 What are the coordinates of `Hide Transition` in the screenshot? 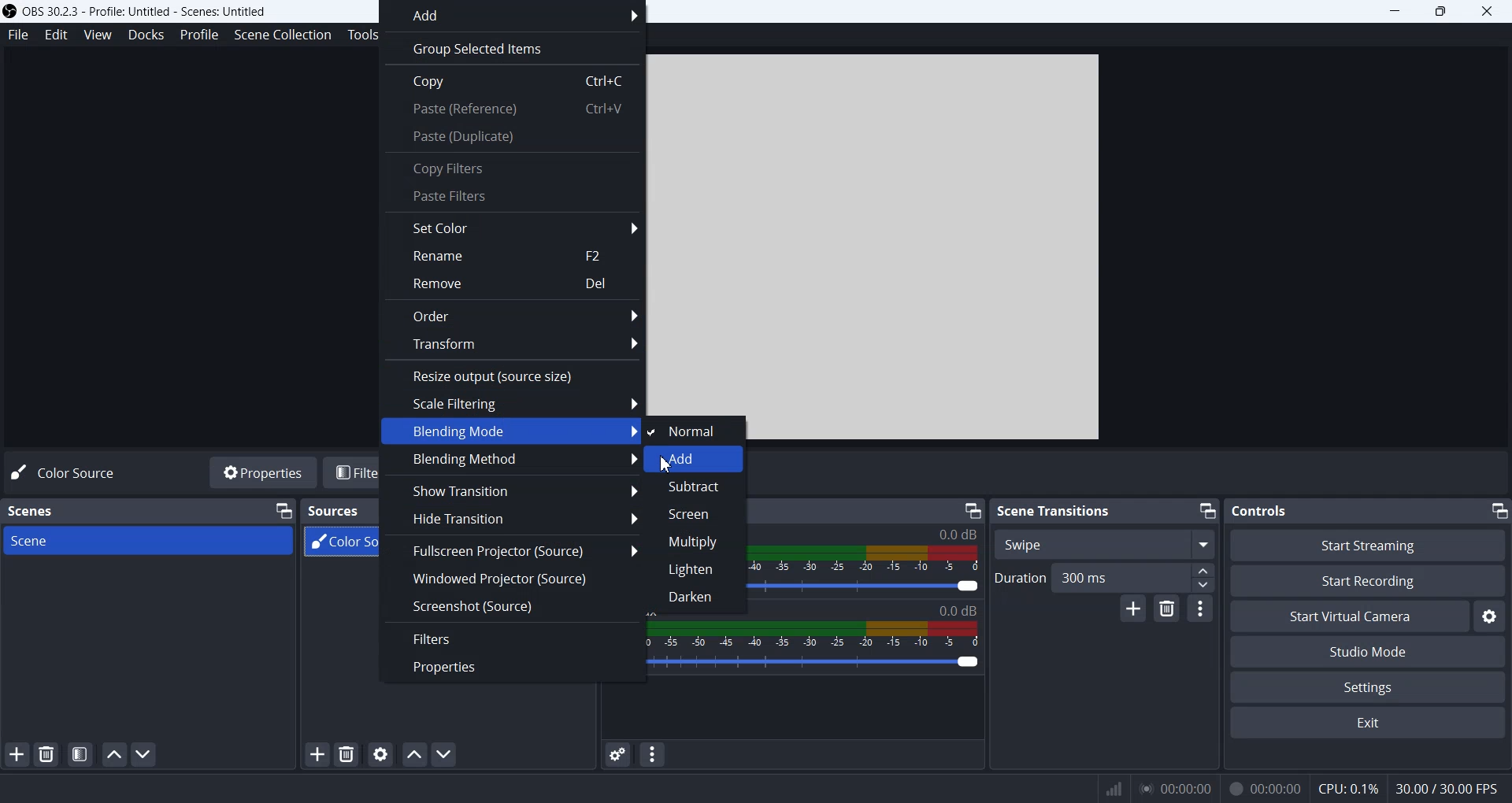 It's located at (513, 520).